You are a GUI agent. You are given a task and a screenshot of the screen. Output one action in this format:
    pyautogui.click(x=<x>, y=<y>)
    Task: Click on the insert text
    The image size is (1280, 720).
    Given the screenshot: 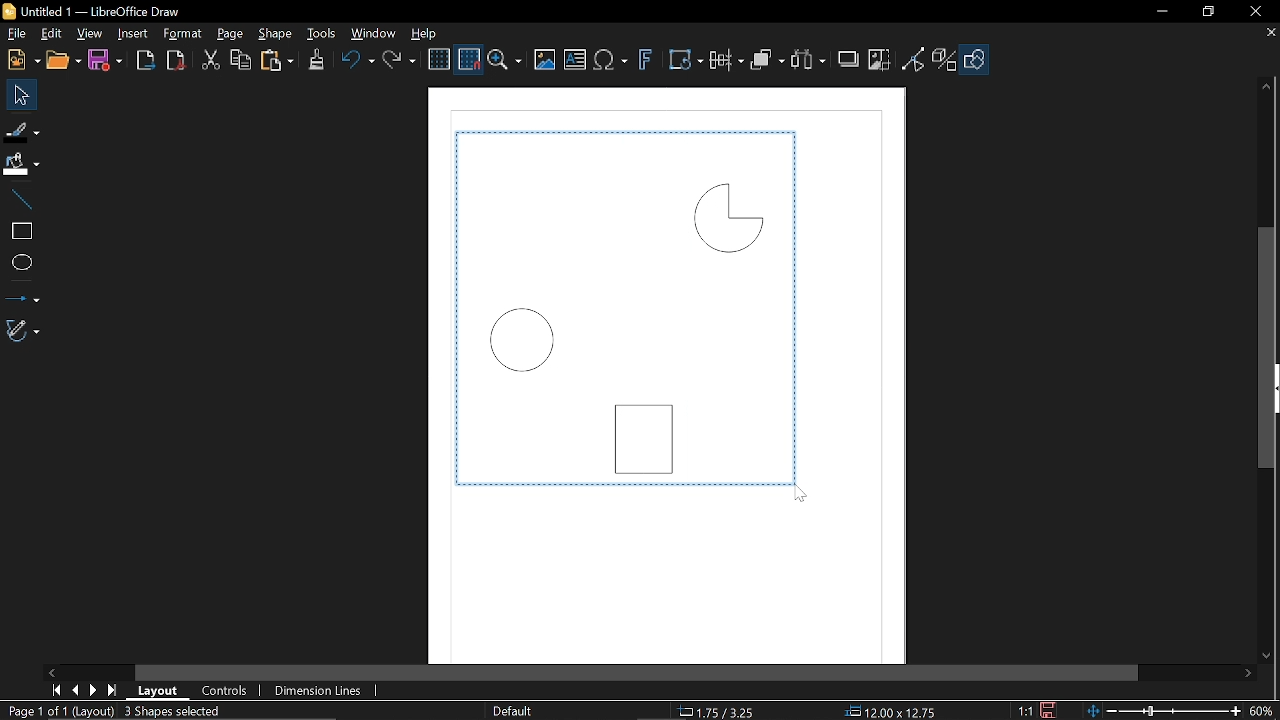 What is the action you would take?
    pyautogui.click(x=575, y=59)
    